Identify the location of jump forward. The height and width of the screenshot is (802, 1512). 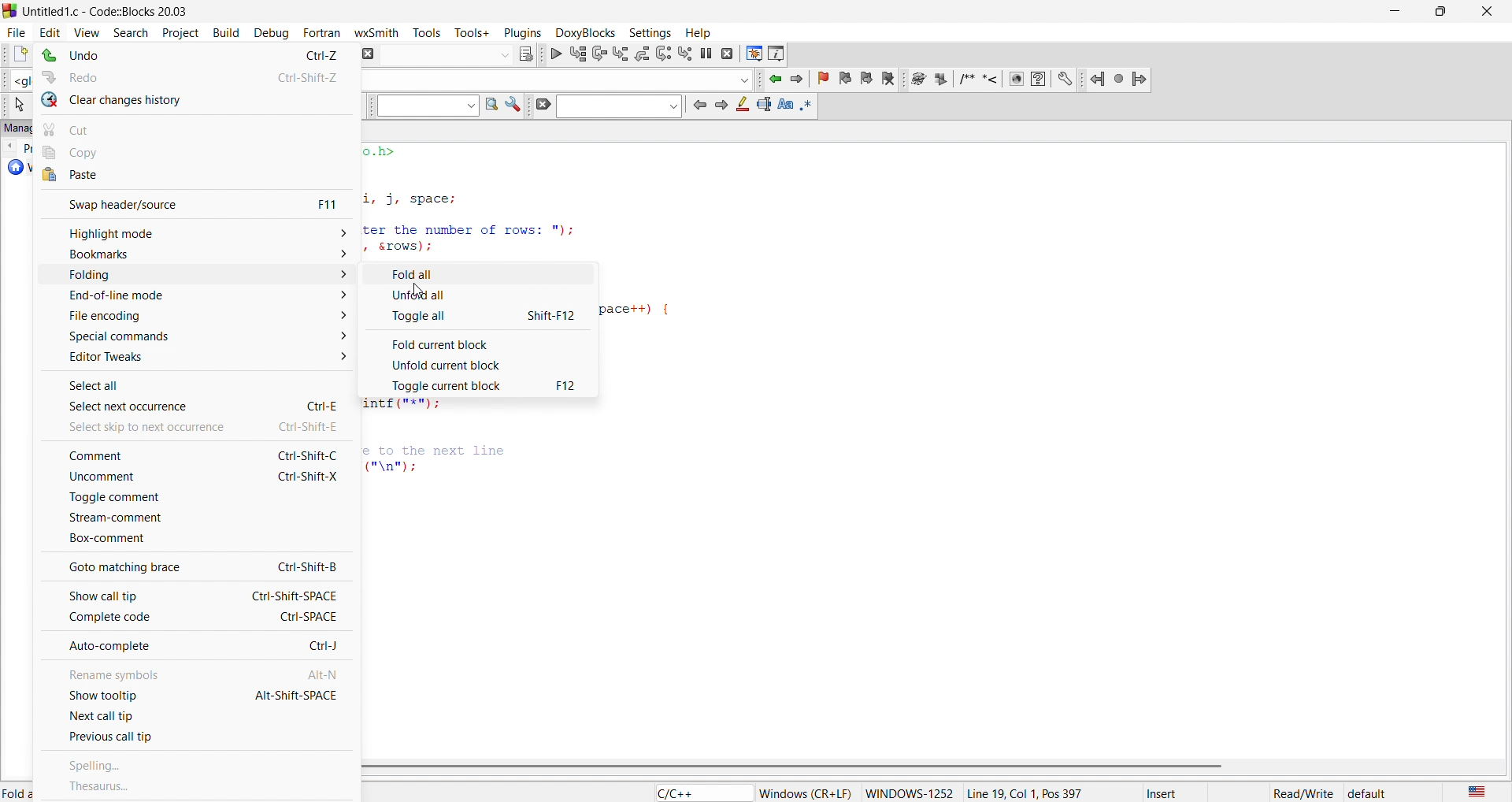
(1139, 77).